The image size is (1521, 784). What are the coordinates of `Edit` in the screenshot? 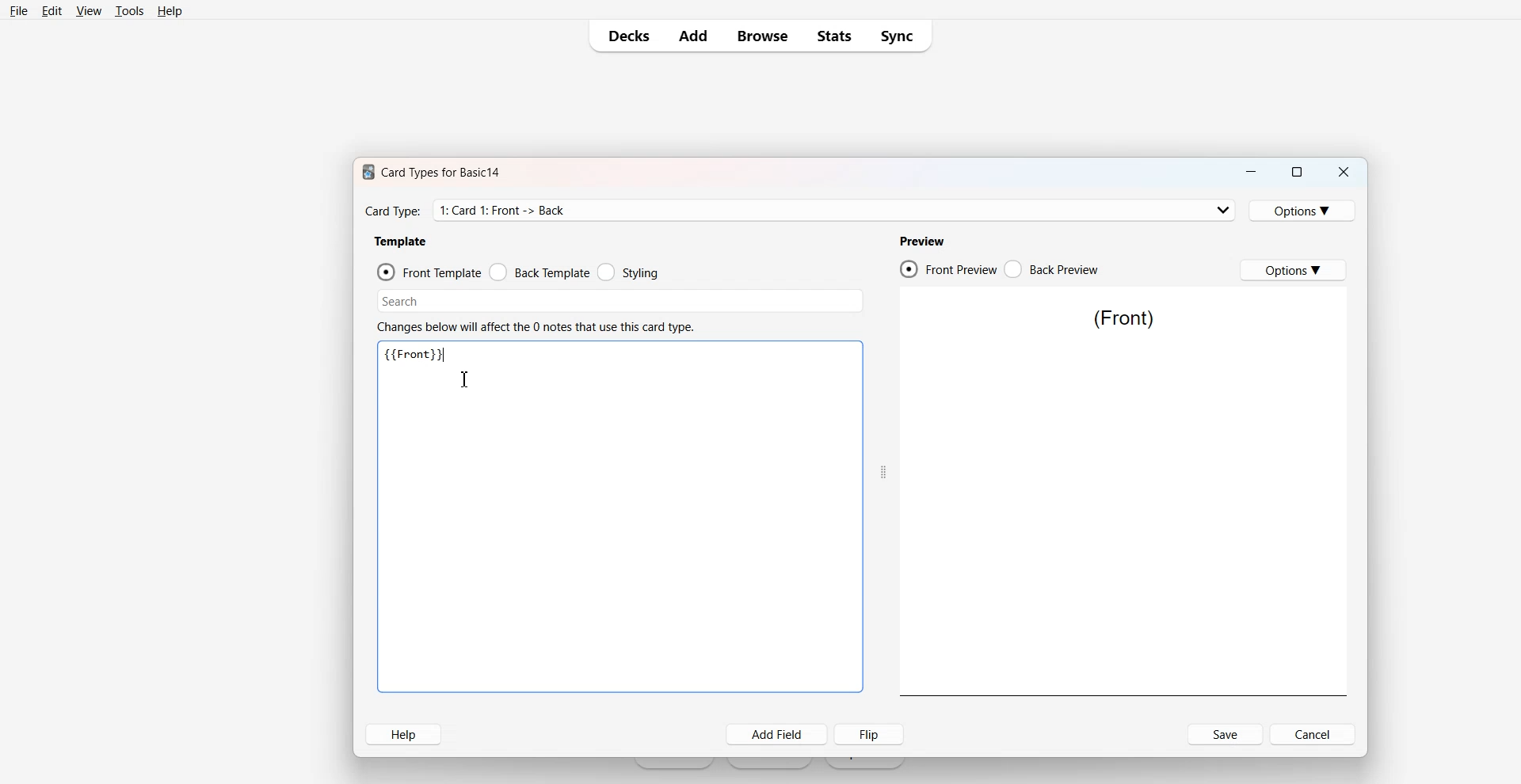 It's located at (51, 11).